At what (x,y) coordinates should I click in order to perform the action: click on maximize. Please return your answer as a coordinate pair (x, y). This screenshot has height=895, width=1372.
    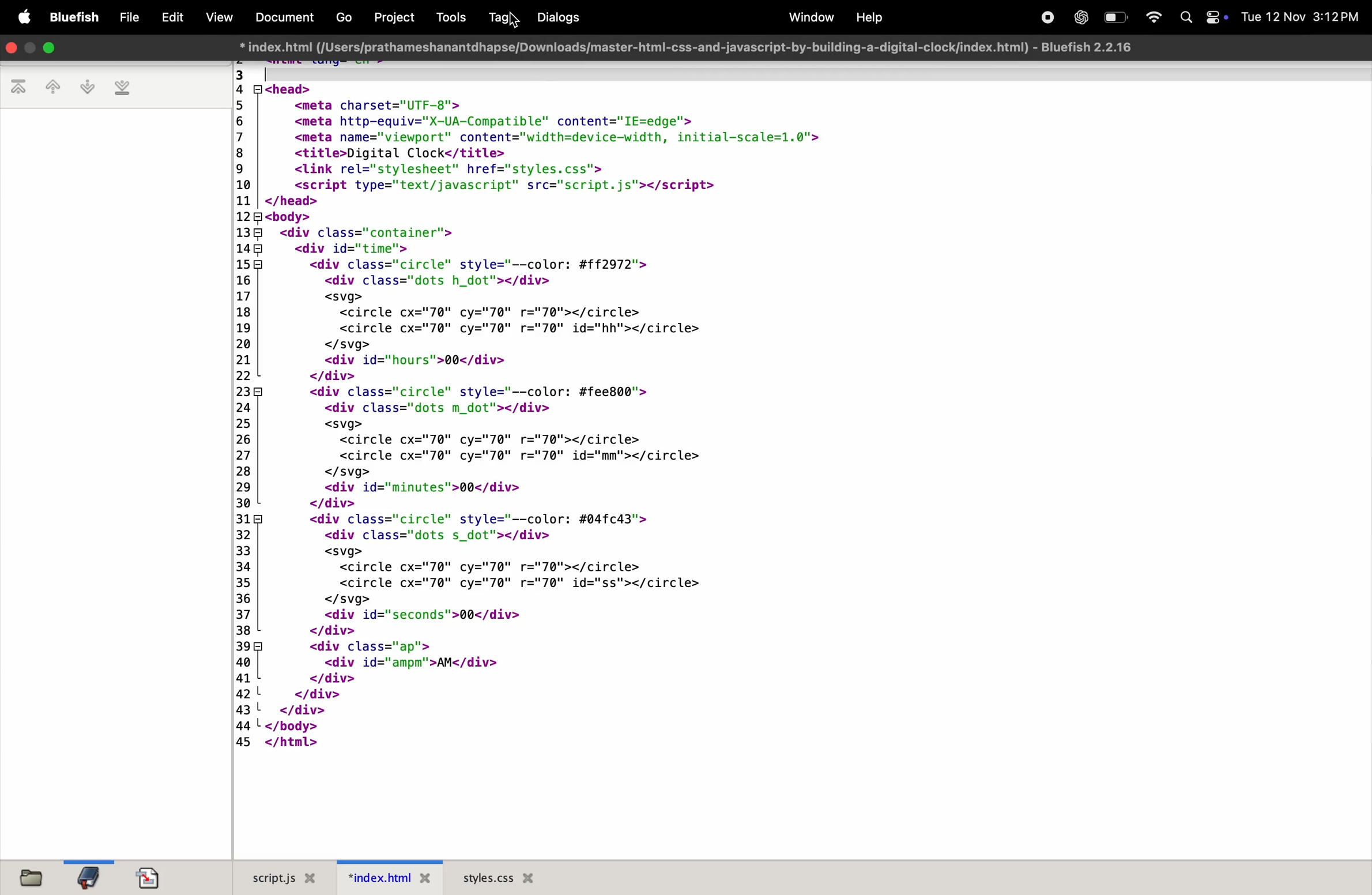
    Looking at the image, I should click on (49, 48).